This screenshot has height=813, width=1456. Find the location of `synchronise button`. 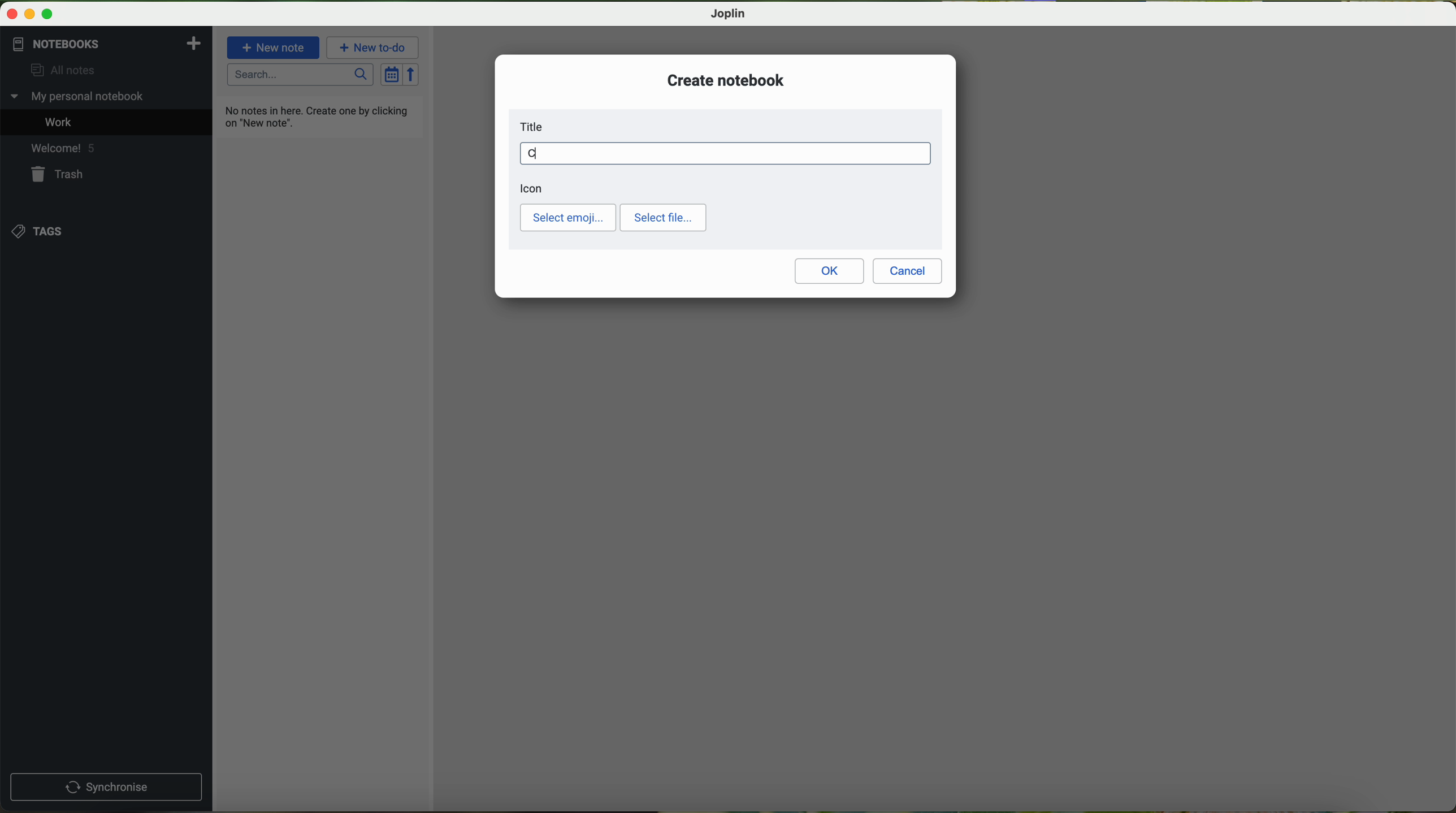

synchronise button is located at coordinates (106, 788).